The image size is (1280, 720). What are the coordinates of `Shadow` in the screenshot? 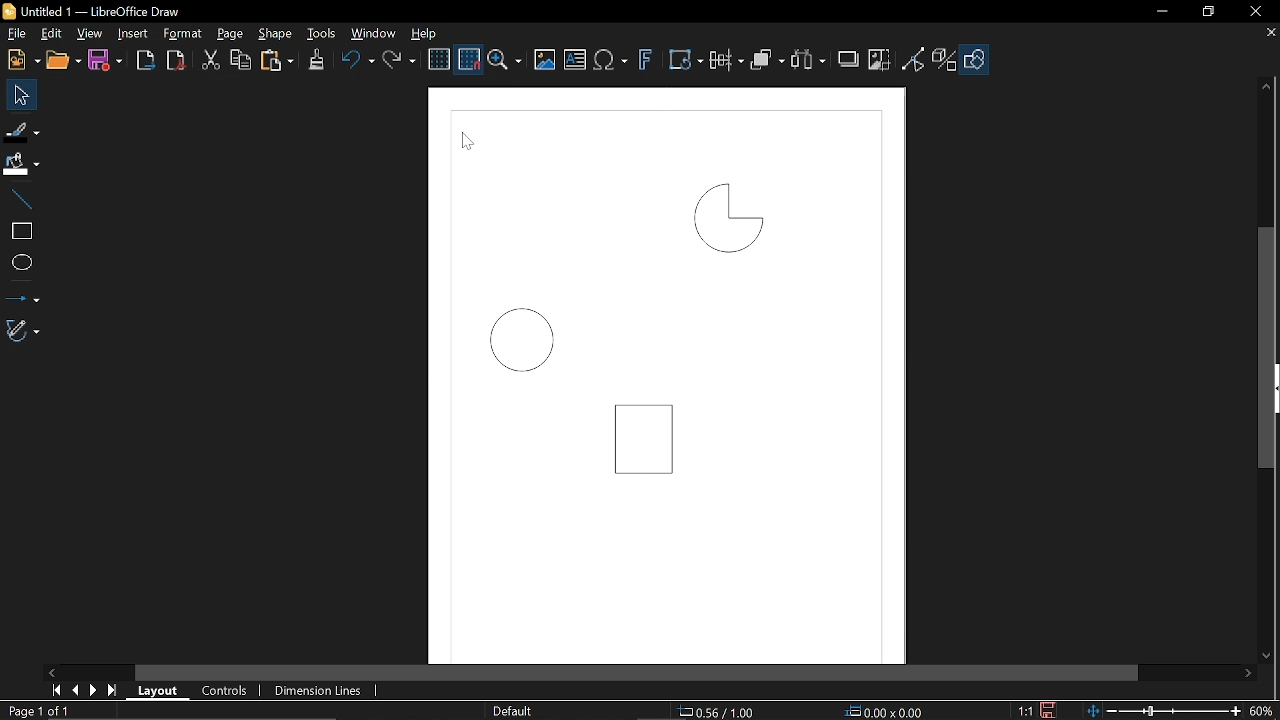 It's located at (848, 61).